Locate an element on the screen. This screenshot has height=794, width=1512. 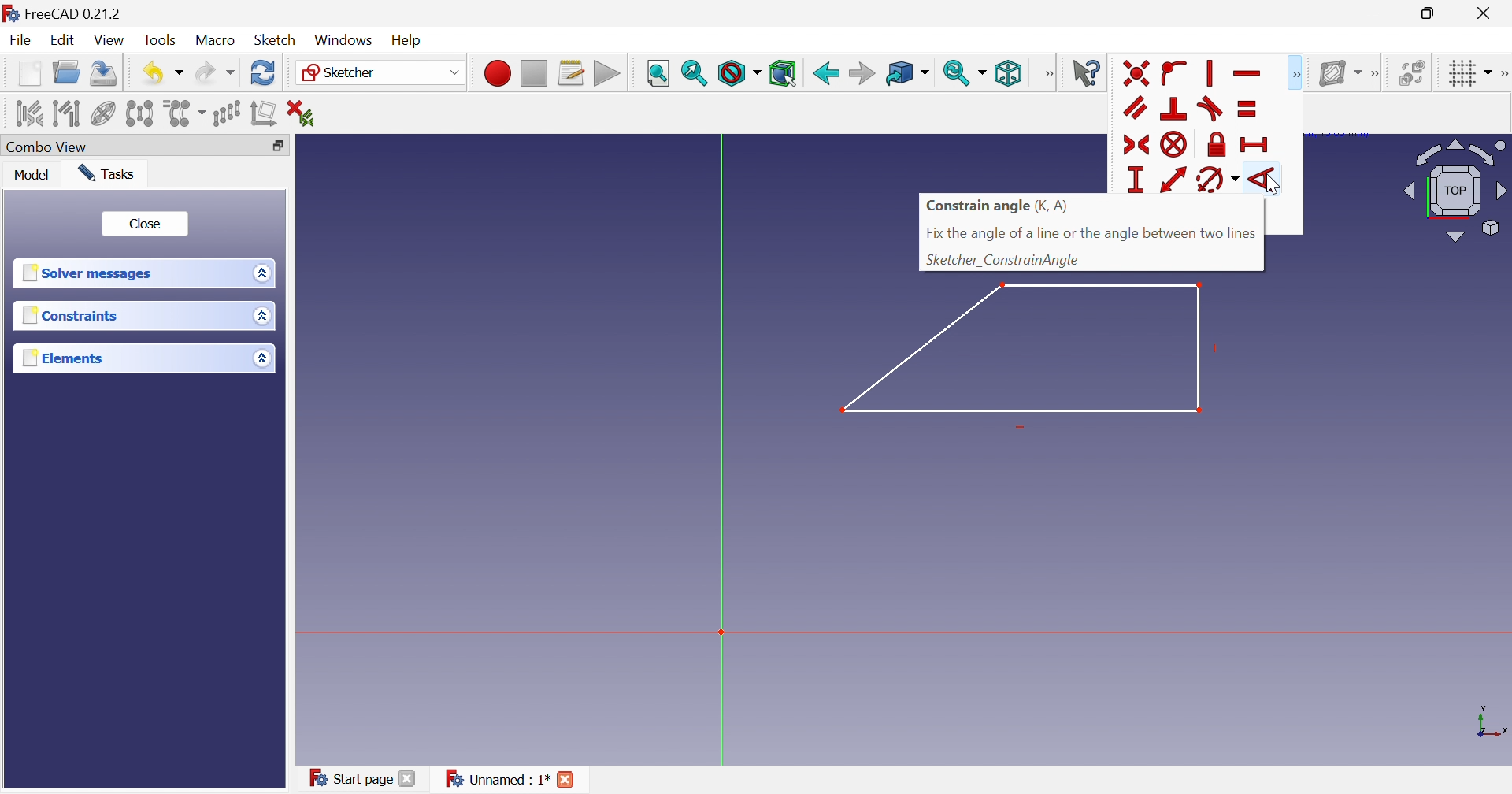
Help is located at coordinates (413, 39).